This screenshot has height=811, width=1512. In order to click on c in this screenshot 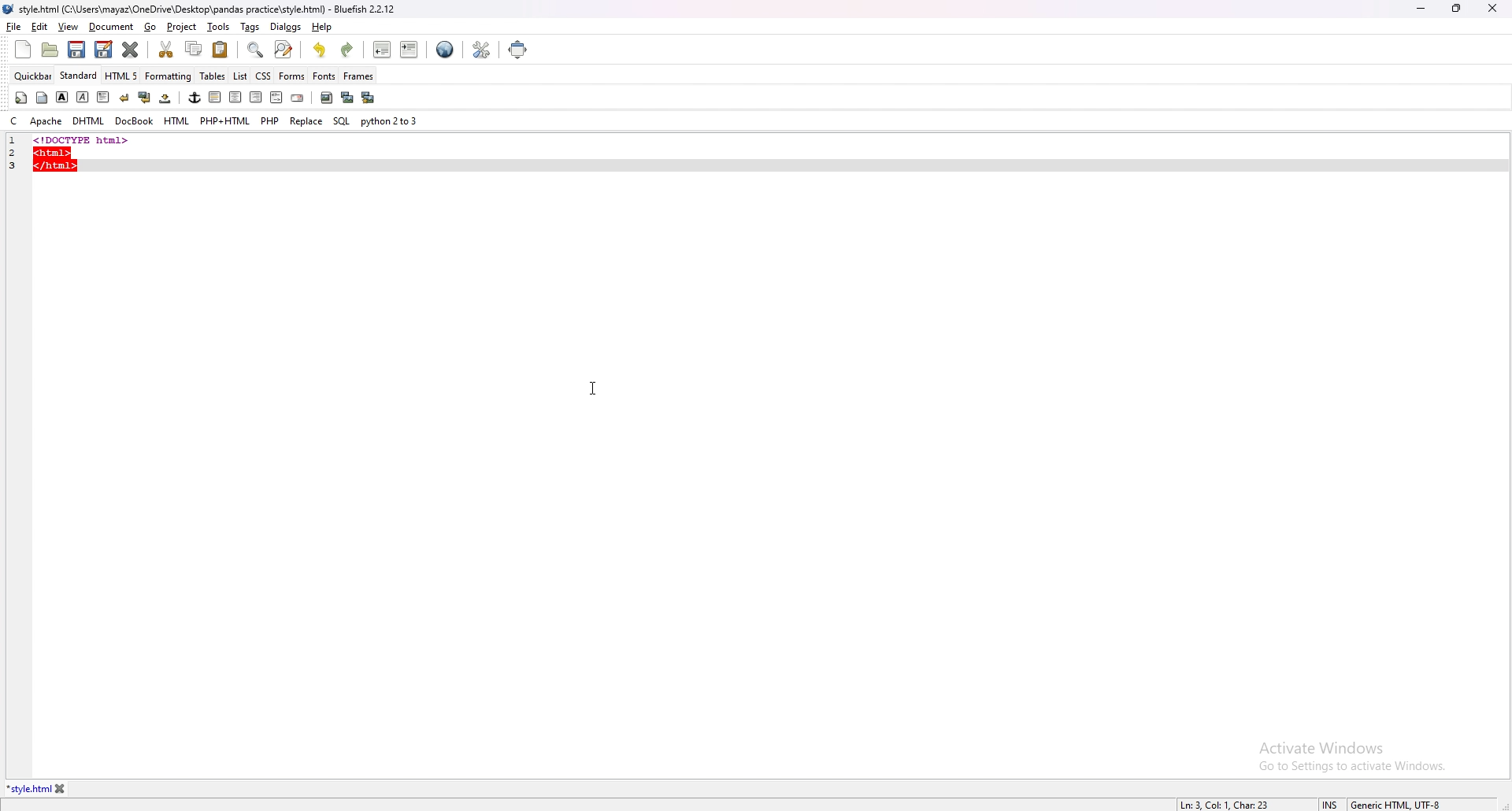, I will do `click(13, 121)`.